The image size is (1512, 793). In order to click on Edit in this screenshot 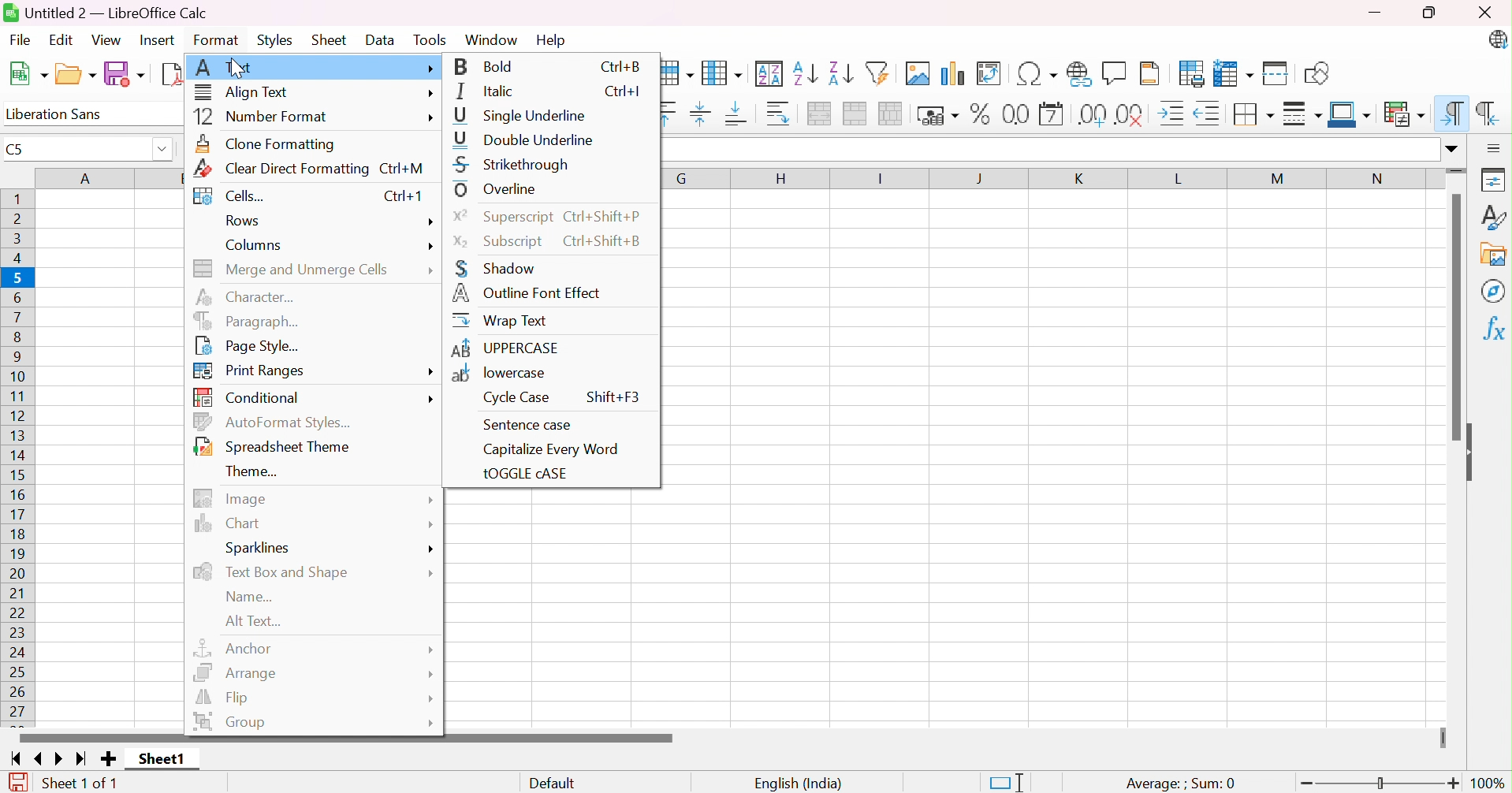, I will do `click(68, 41)`.